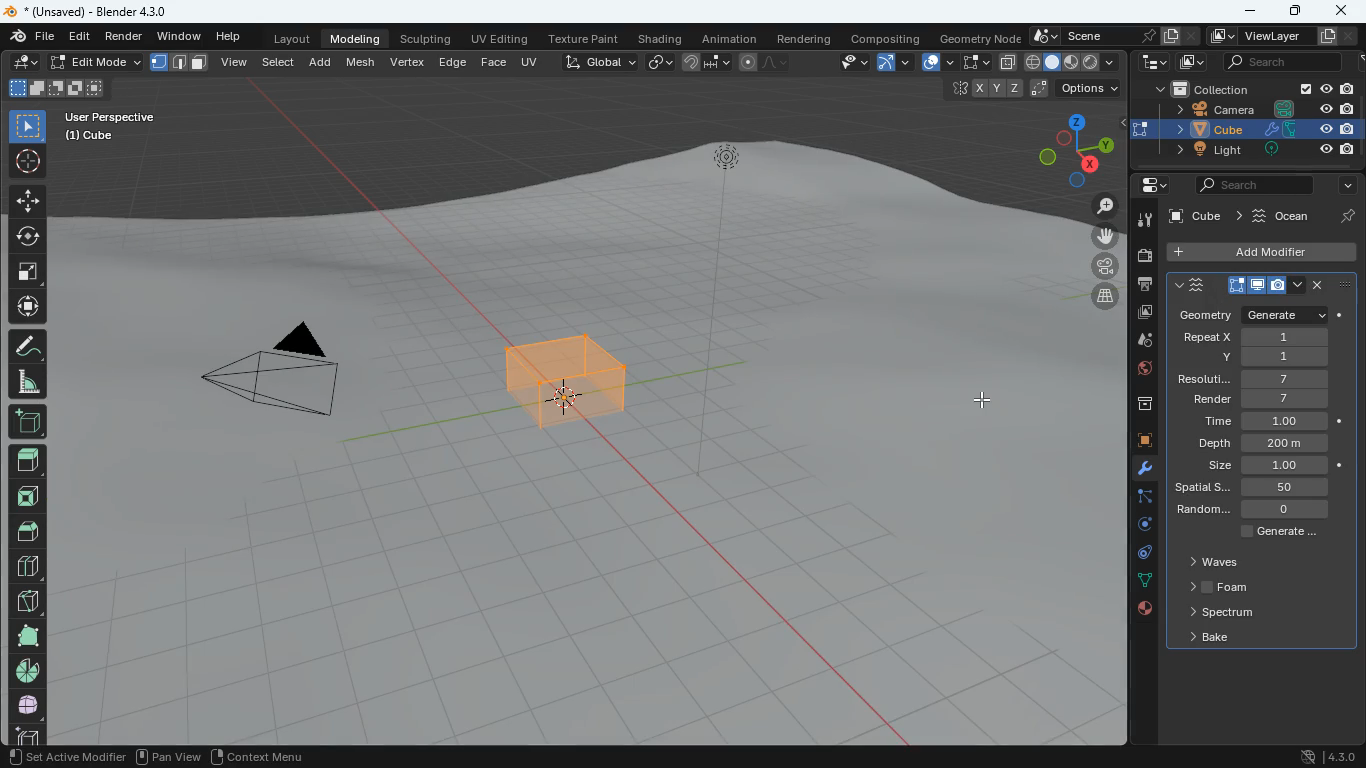 The height and width of the screenshot is (768, 1366). I want to click on full, so click(30, 703).